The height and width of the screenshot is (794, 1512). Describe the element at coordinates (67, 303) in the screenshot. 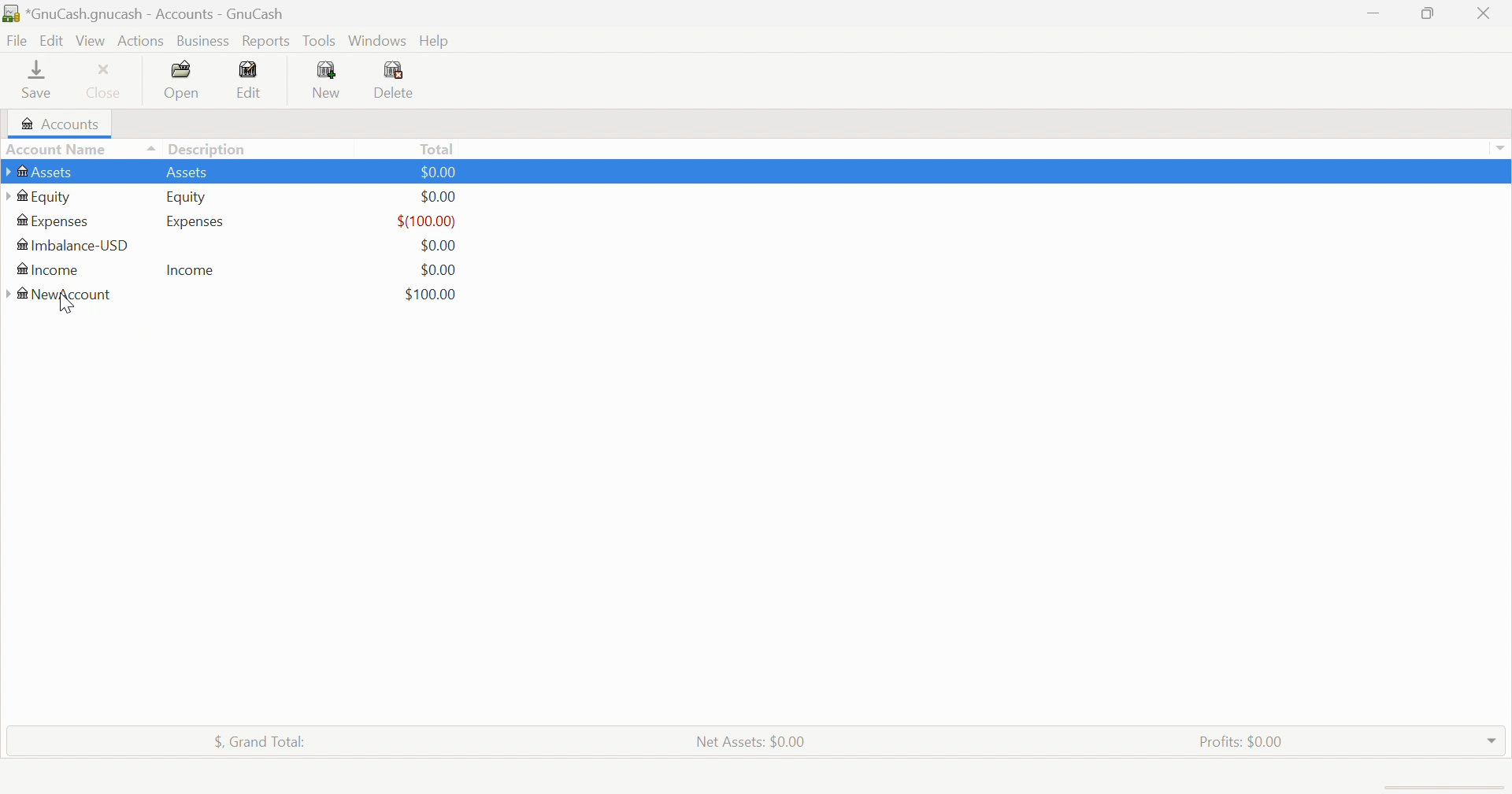

I see `Cursor` at that location.